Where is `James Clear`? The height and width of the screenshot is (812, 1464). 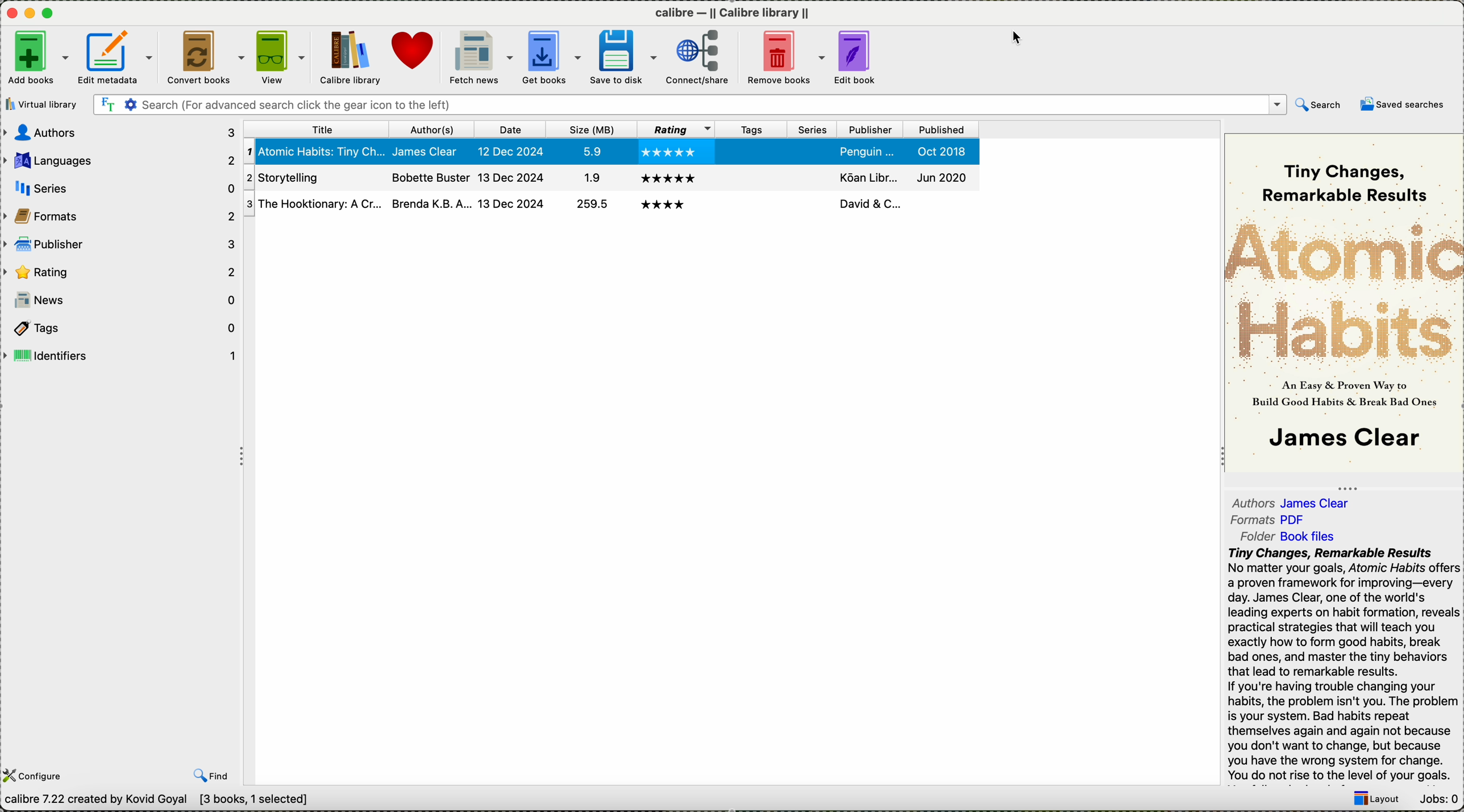
James Clear is located at coordinates (1321, 502).